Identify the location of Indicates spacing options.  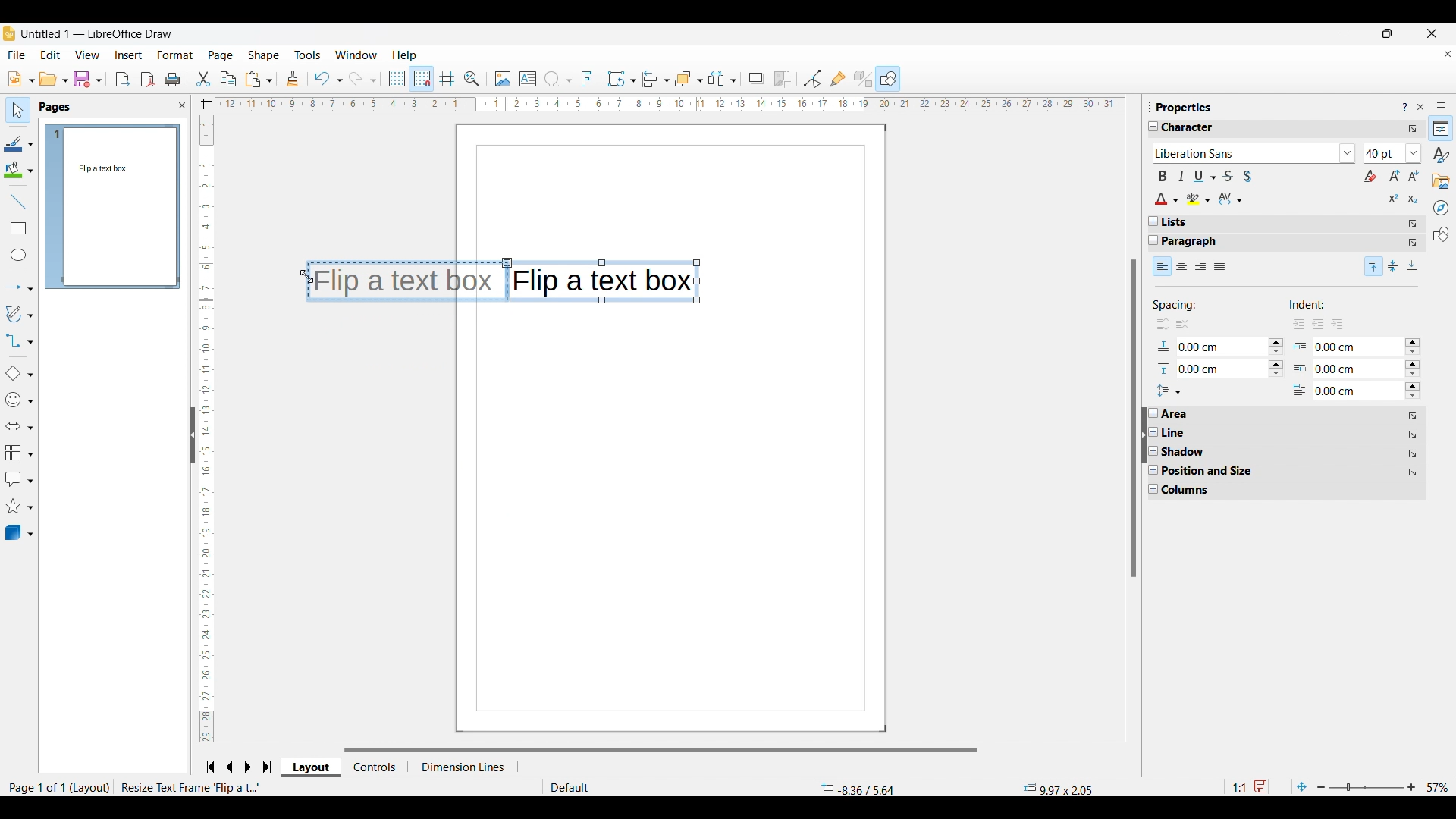
(1176, 306).